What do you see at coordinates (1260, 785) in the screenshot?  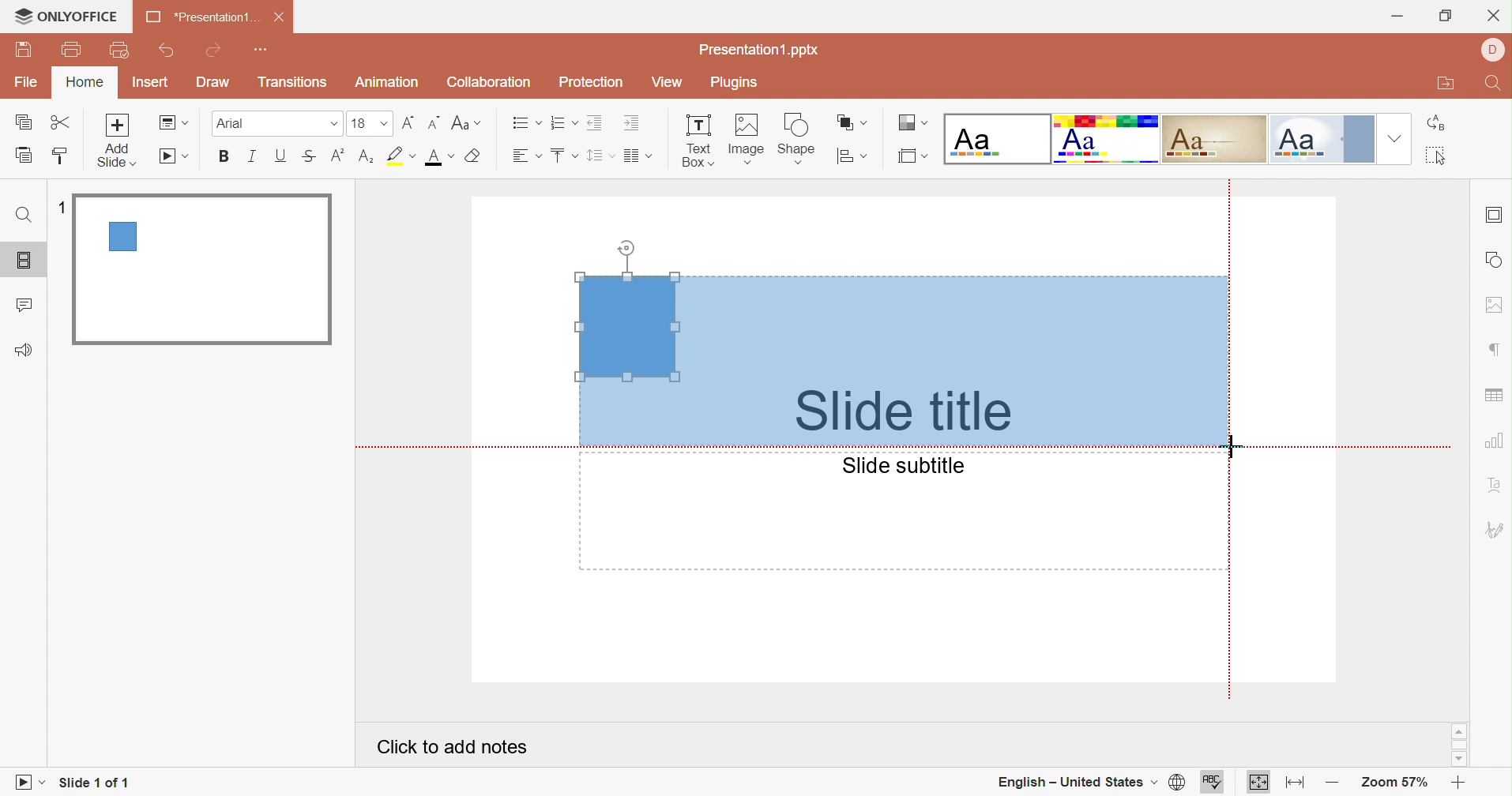 I see `Fit to slide` at bounding box center [1260, 785].